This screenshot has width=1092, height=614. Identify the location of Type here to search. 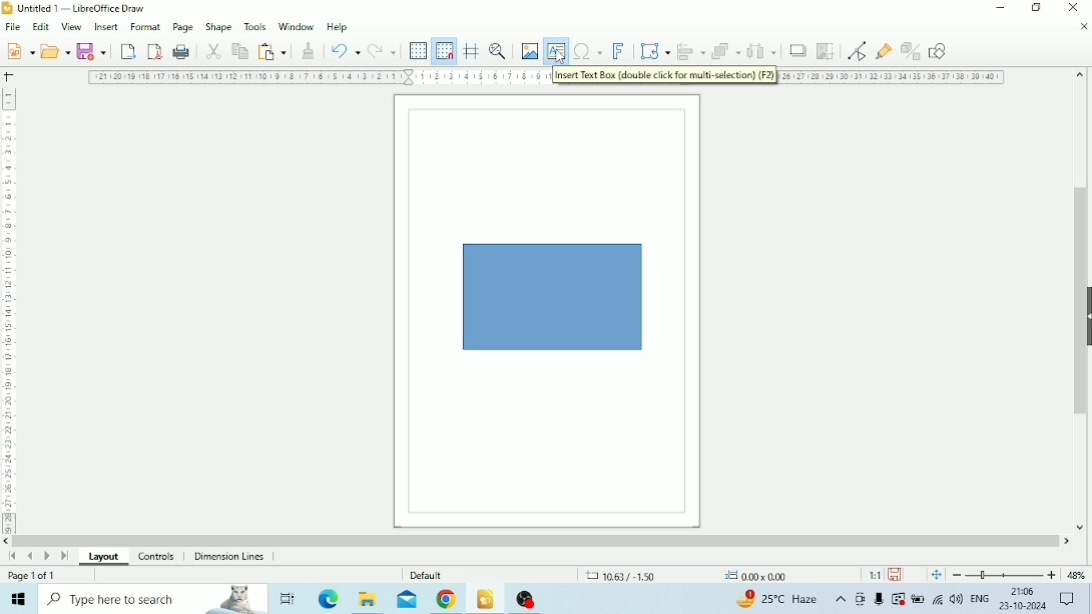
(152, 599).